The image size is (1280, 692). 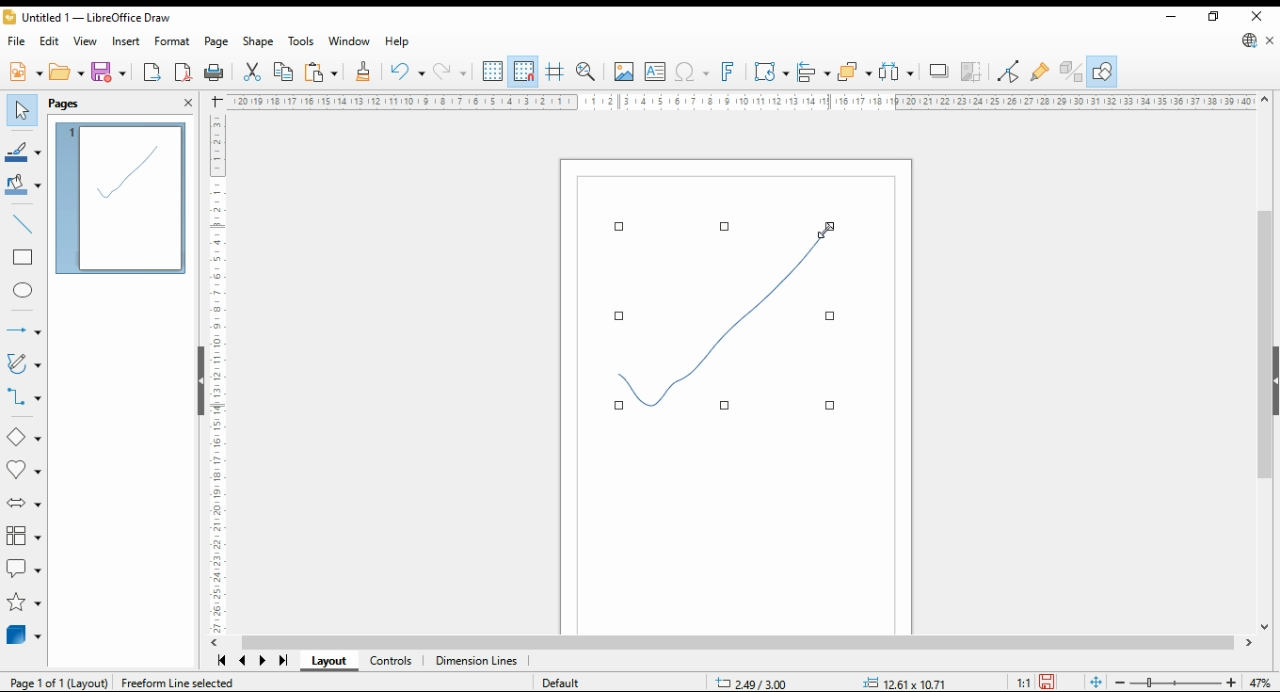 What do you see at coordinates (624, 71) in the screenshot?
I see `insert image` at bounding box center [624, 71].